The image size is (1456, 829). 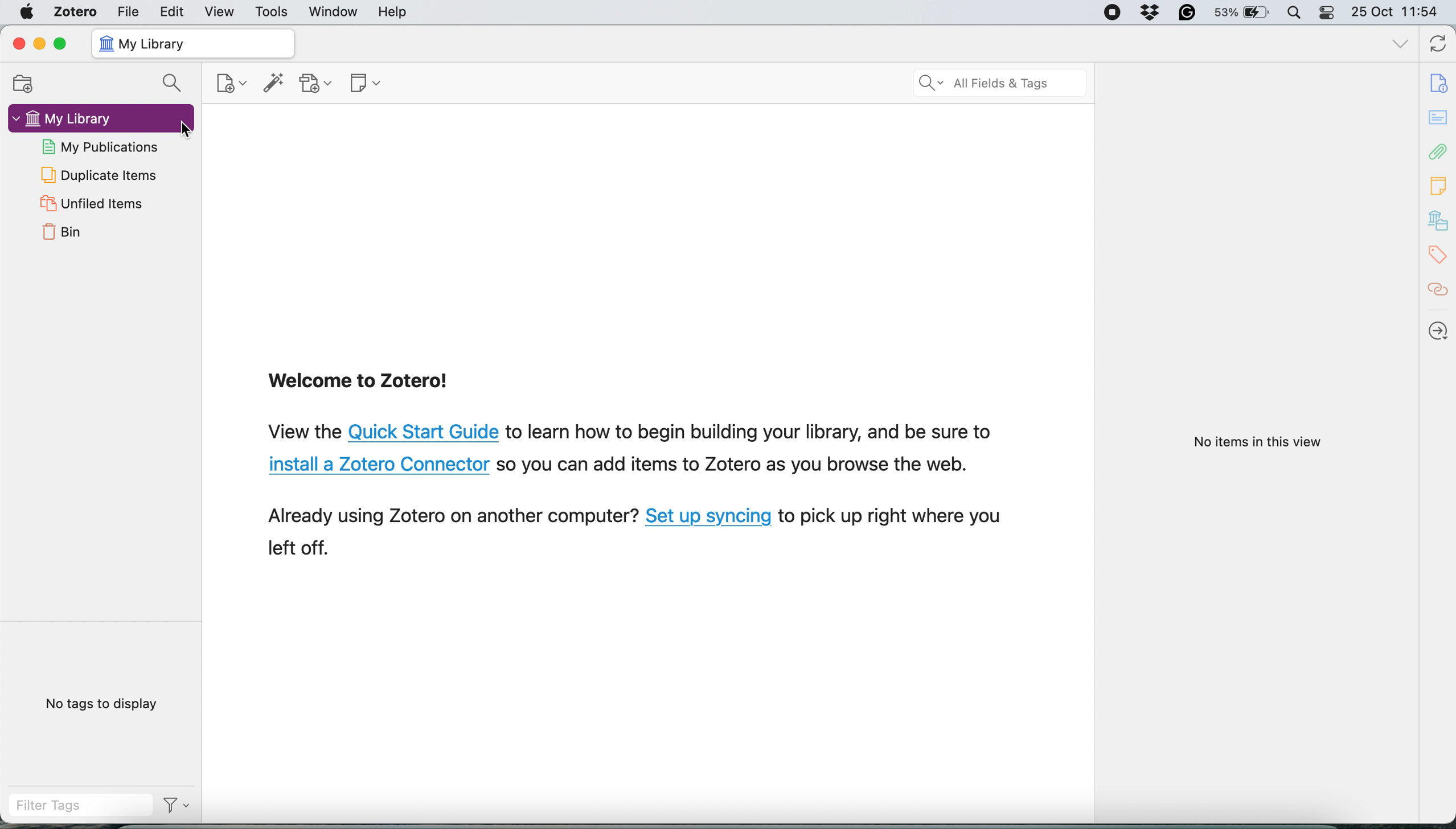 What do you see at coordinates (1439, 186) in the screenshot?
I see `notes` at bounding box center [1439, 186].